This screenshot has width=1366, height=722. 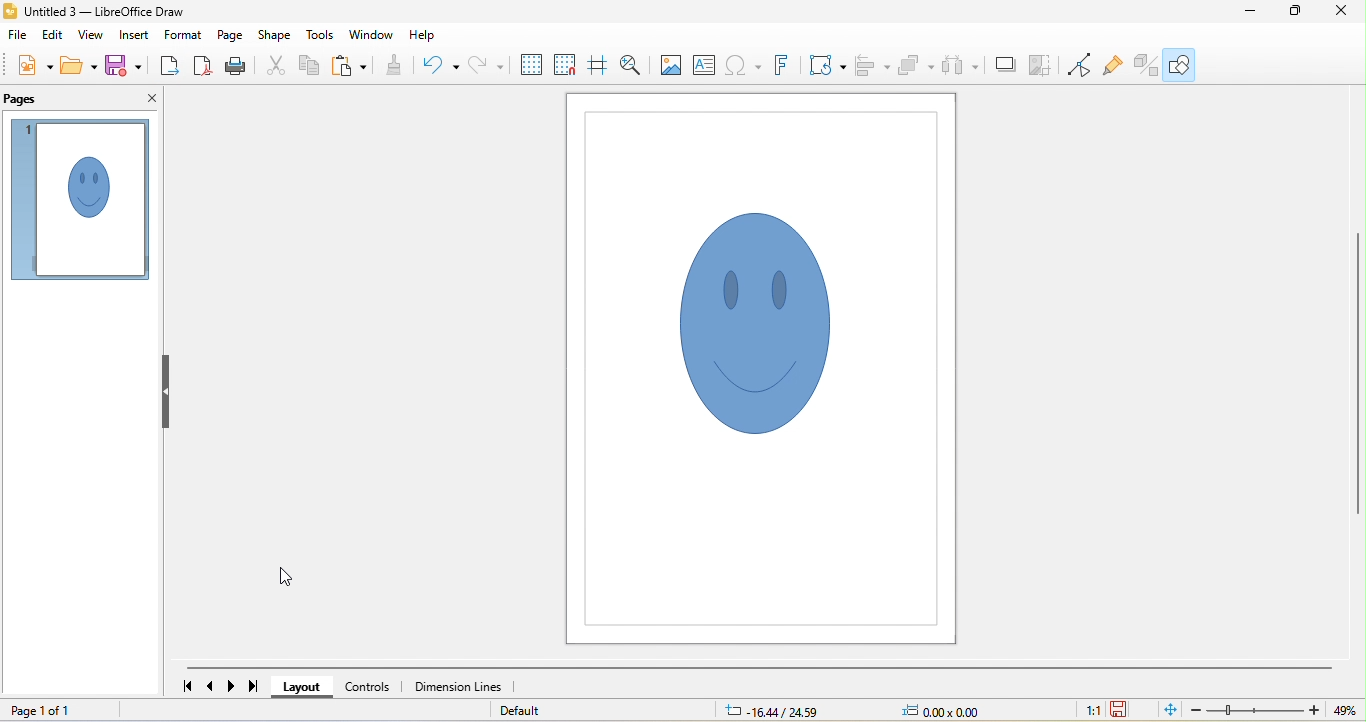 I want to click on maximize, so click(x=1293, y=11).